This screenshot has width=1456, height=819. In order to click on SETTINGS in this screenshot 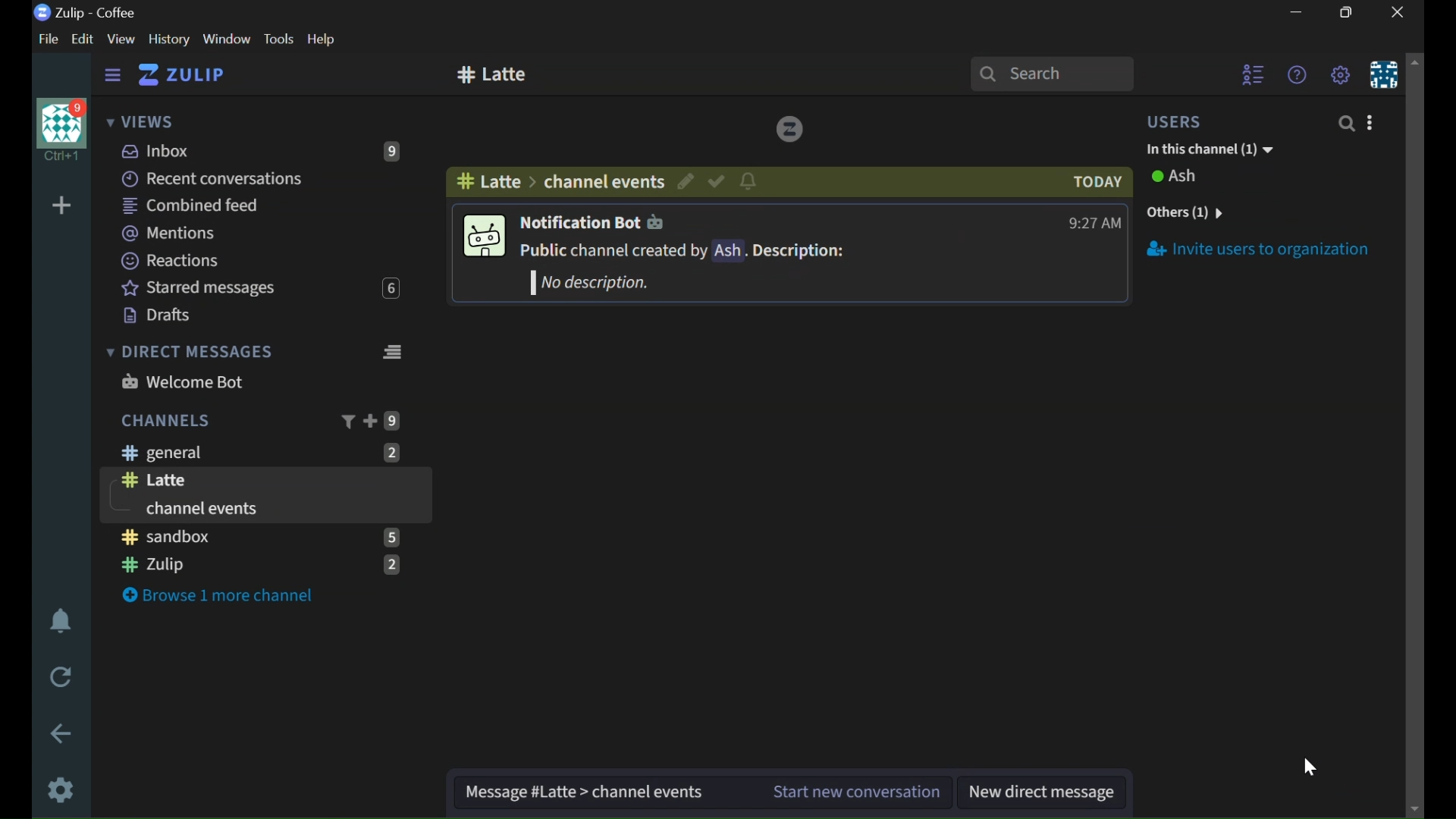, I will do `click(1339, 74)`.